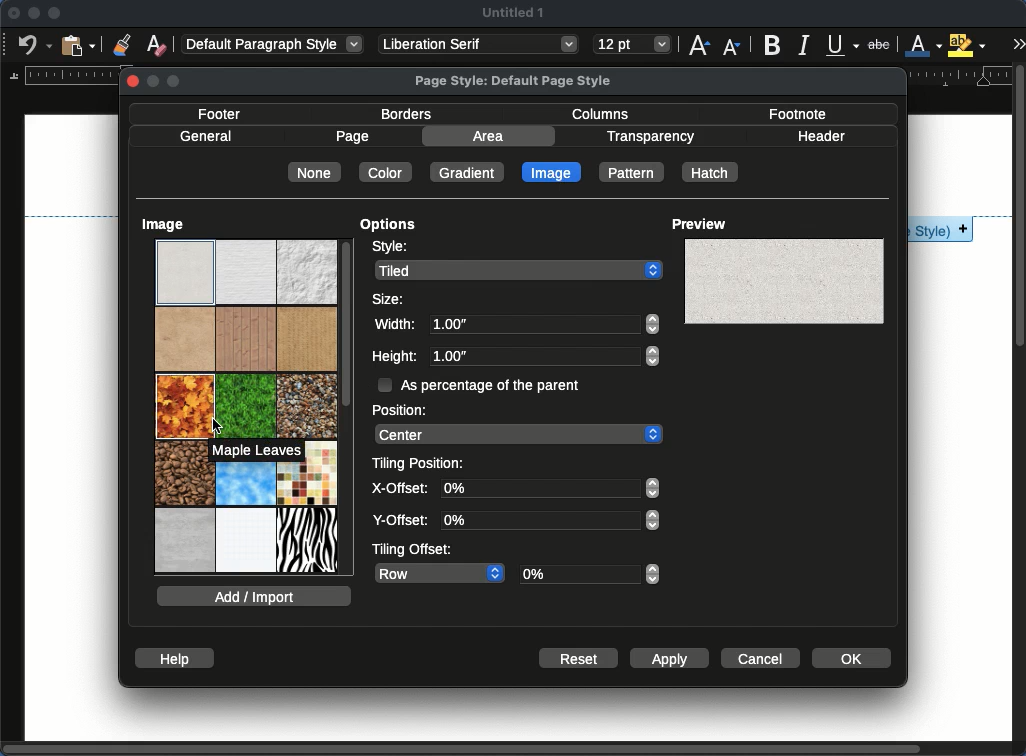 This screenshot has height=756, width=1026. Describe the element at coordinates (402, 490) in the screenshot. I see `x-offset:` at that location.